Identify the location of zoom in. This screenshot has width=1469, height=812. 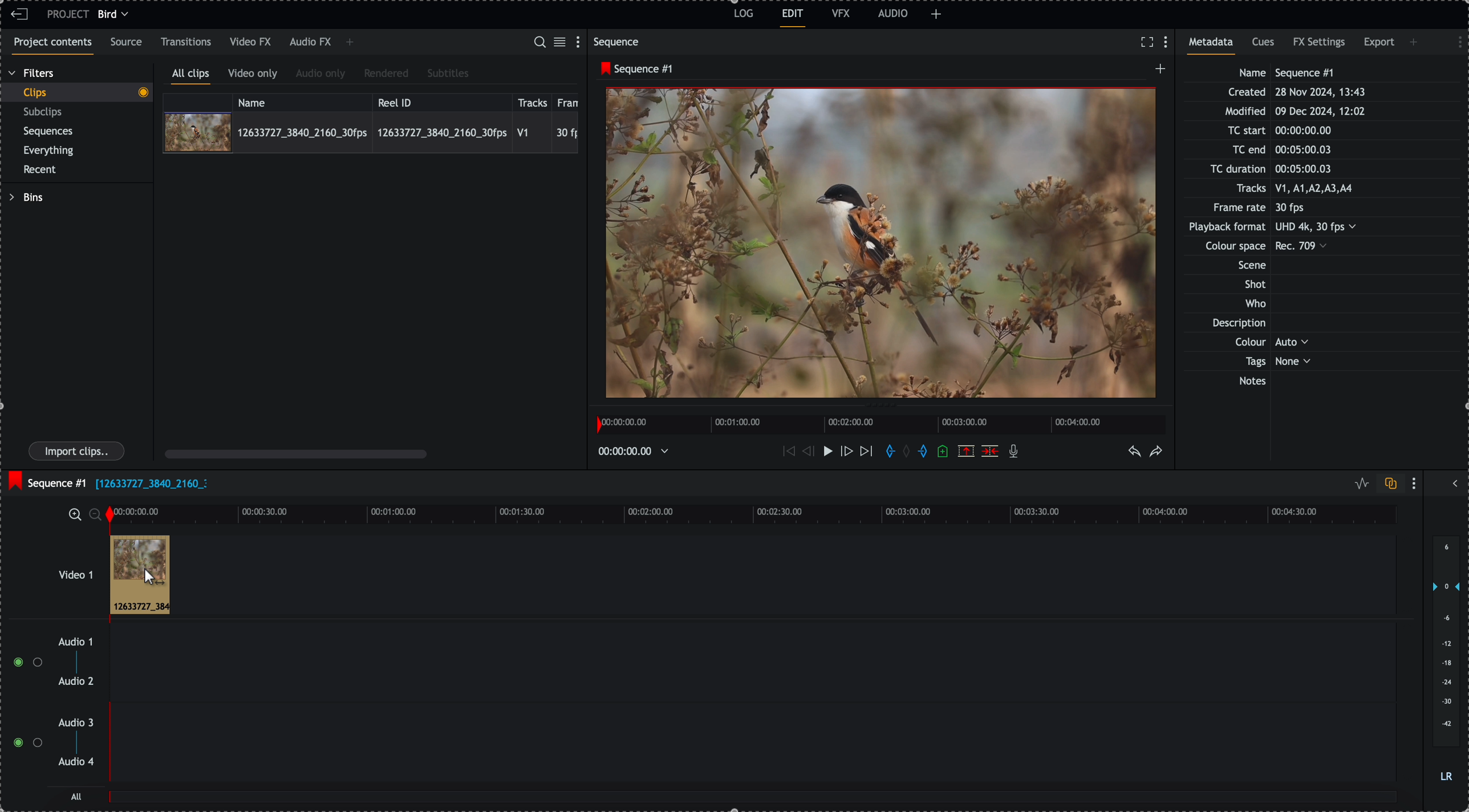
(74, 514).